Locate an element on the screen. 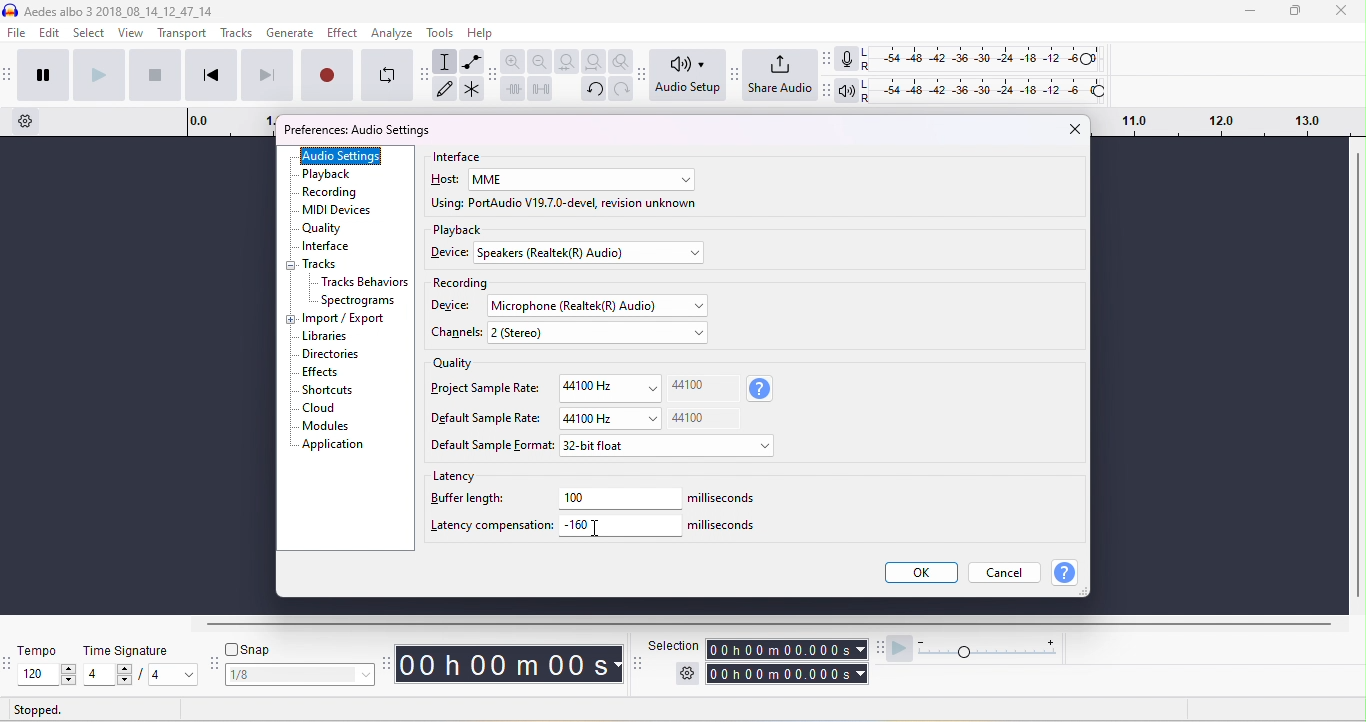 Image resolution: width=1366 pixels, height=722 pixels. recording meter is located at coordinates (847, 60).